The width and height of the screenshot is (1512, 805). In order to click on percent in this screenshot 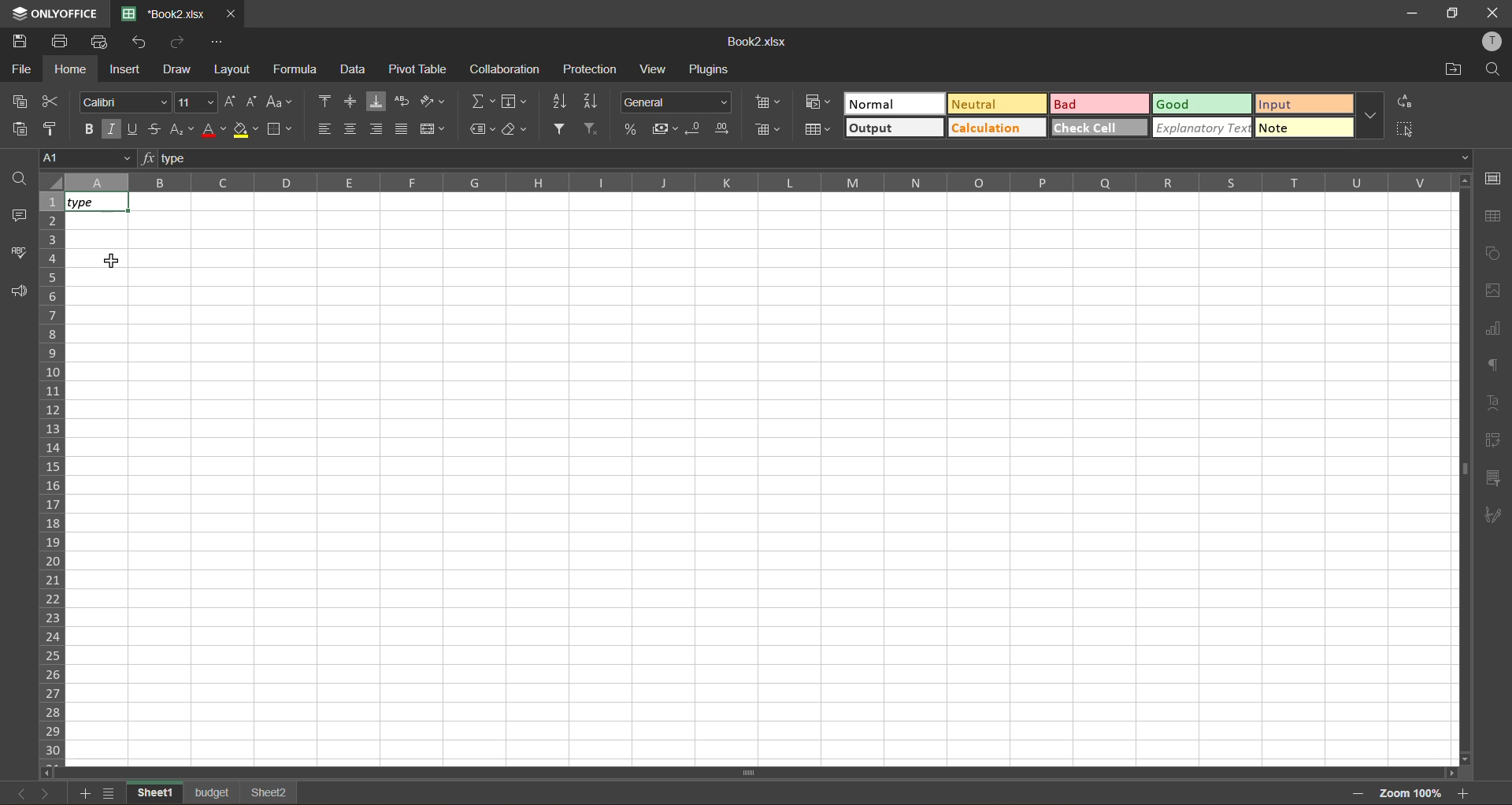, I will do `click(632, 129)`.